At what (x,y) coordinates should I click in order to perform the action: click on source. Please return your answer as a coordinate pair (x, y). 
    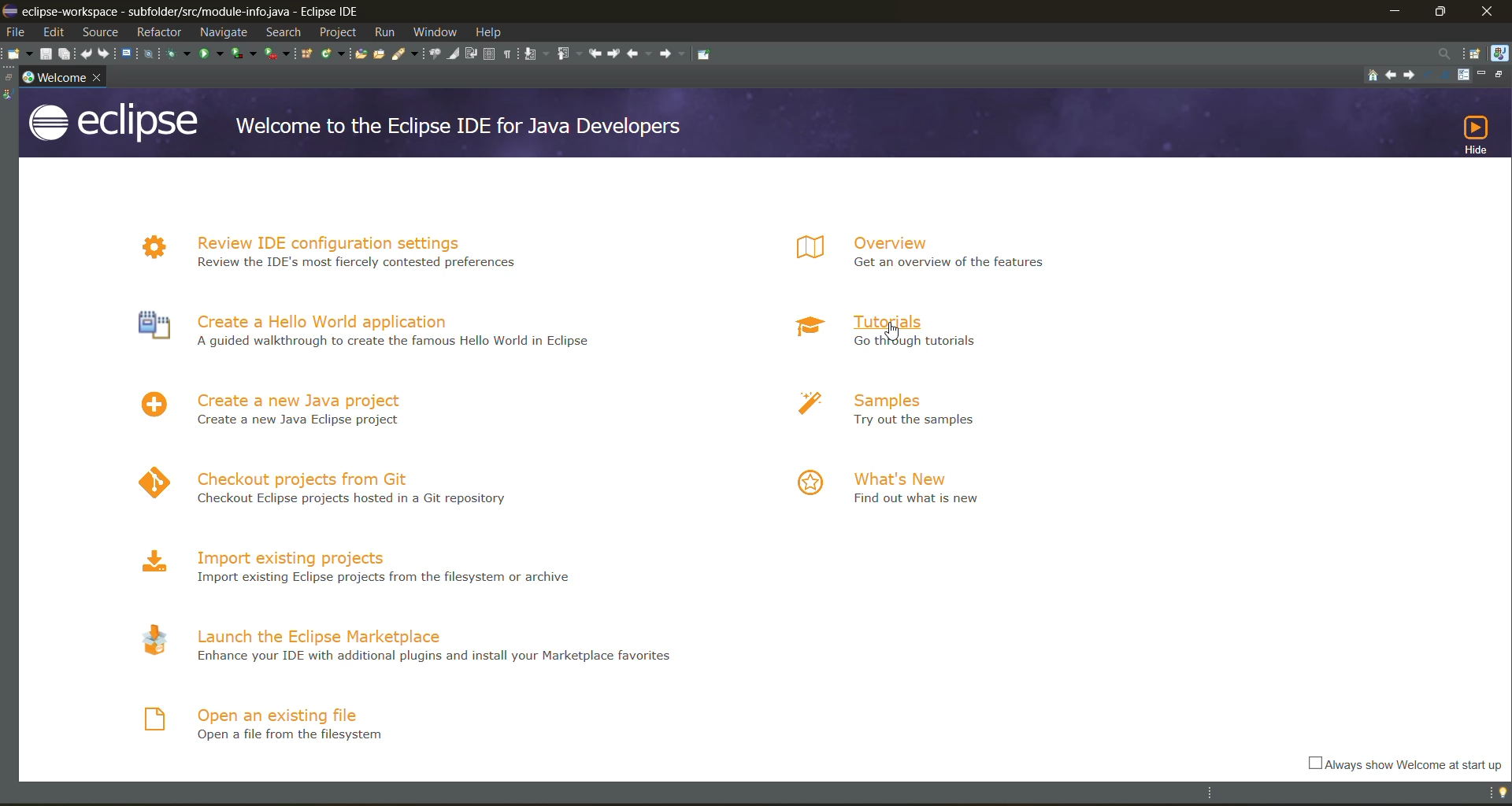
    Looking at the image, I should click on (105, 33).